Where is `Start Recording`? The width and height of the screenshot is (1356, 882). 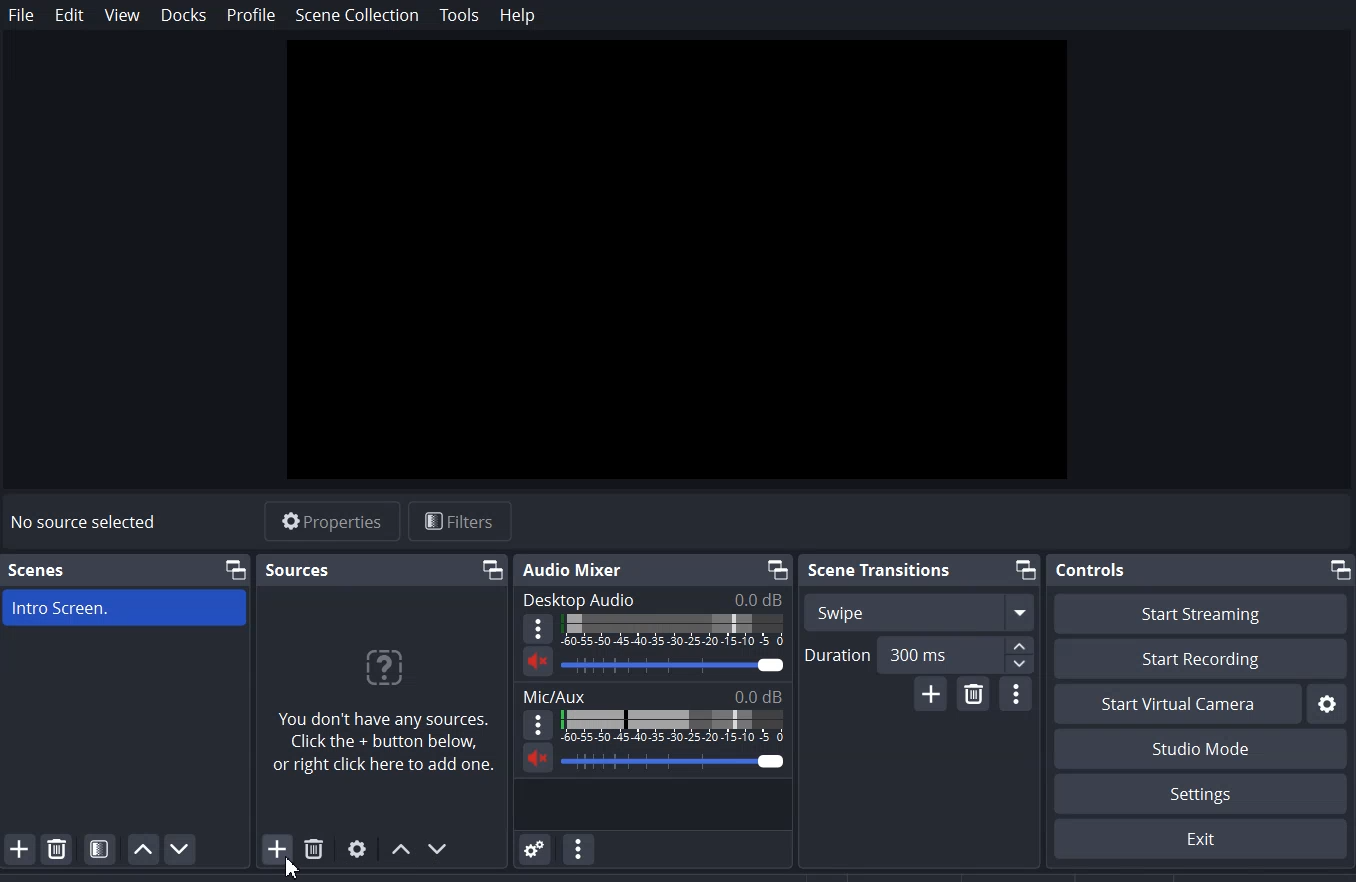
Start Recording is located at coordinates (1201, 660).